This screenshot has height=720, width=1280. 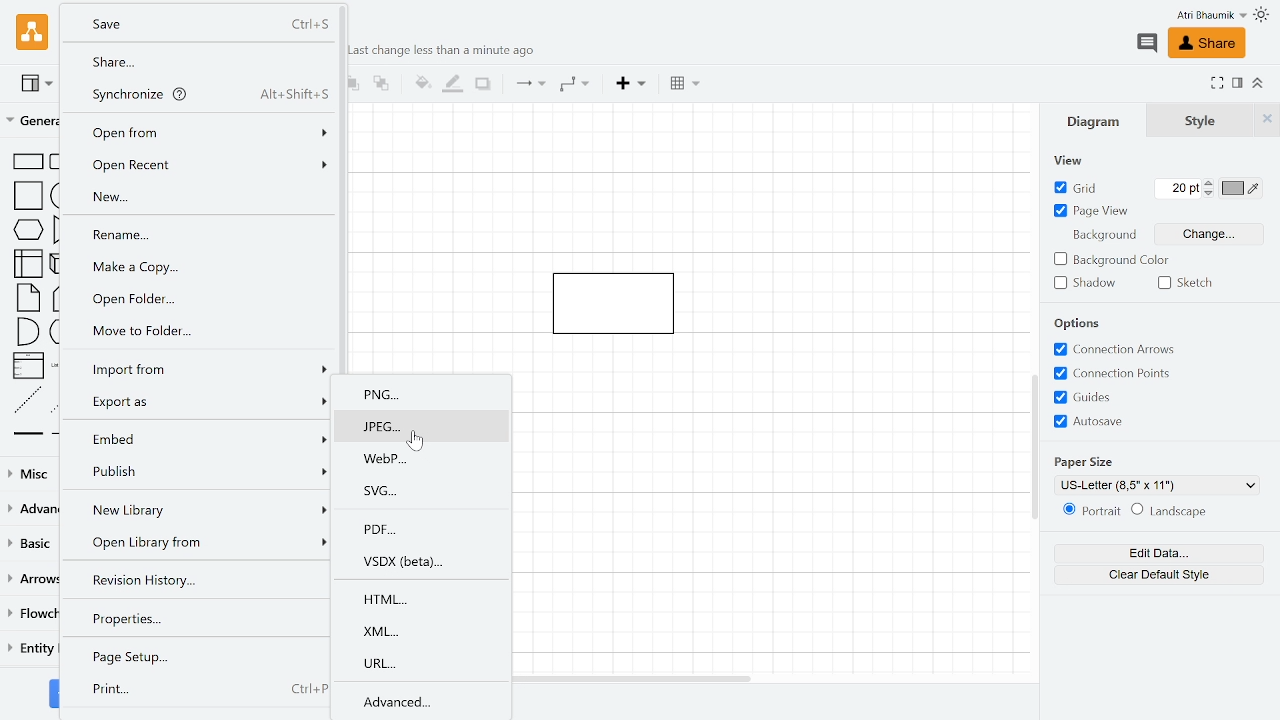 I want to click on Table, so click(x=686, y=85).